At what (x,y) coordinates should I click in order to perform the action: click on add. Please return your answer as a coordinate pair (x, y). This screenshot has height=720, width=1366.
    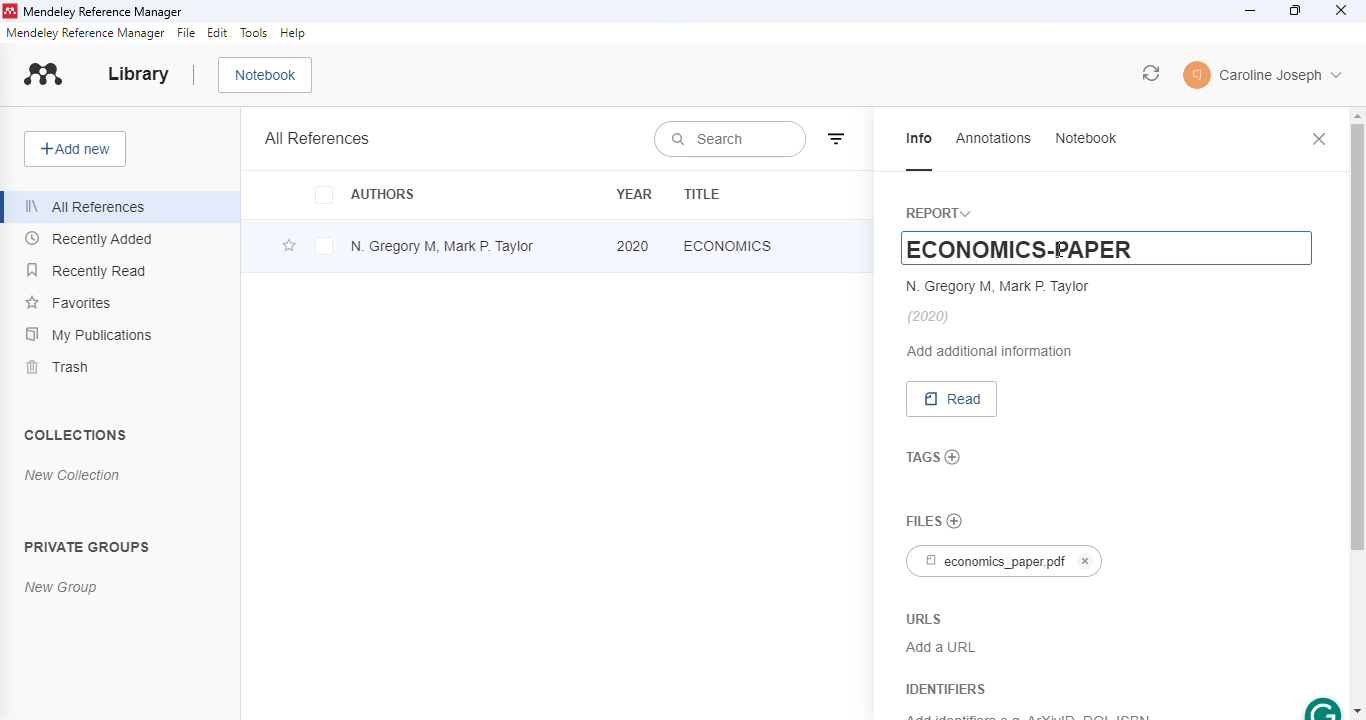
    Looking at the image, I should click on (954, 458).